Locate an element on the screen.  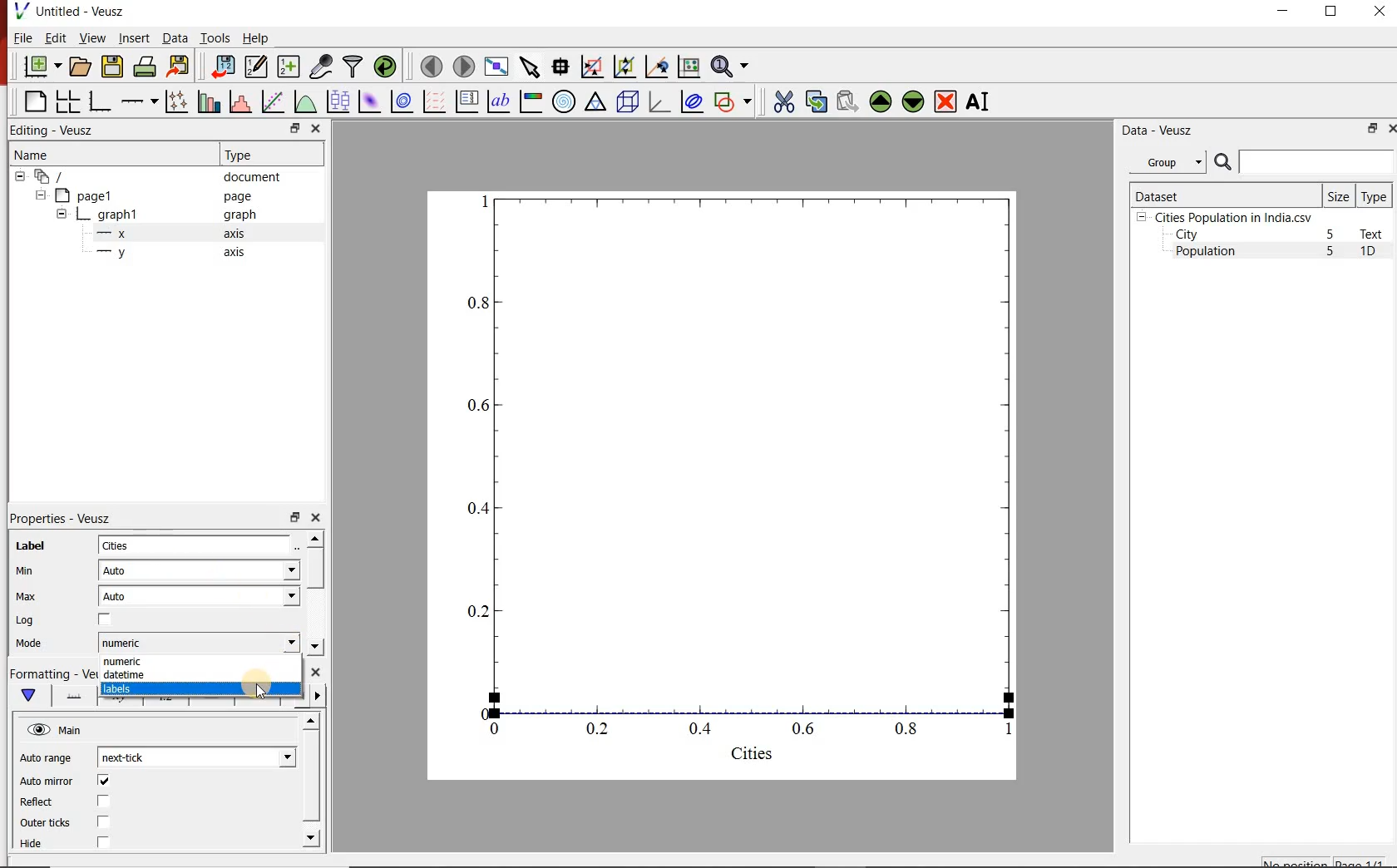
view plot full screen is located at coordinates (496, 67).